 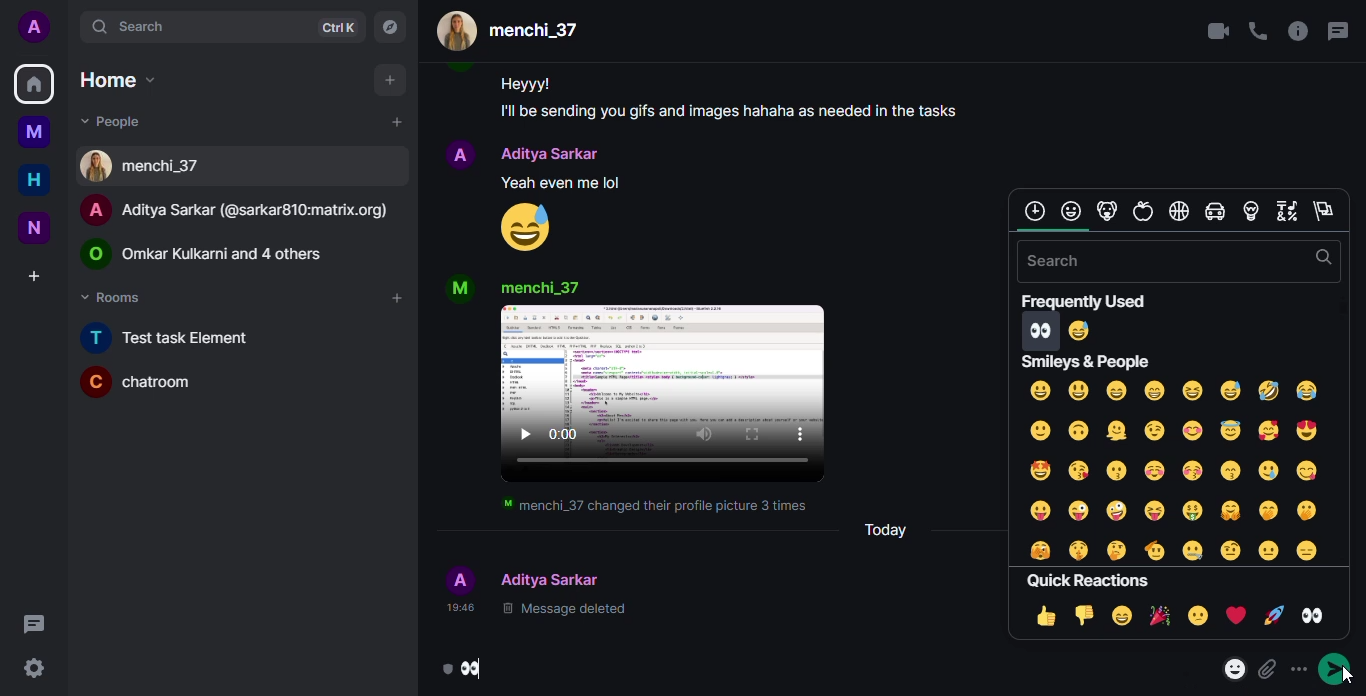 What do you see at coordinates (37, 132) in the screenshot?
I see `myspace` at bounding box center [37, 132].